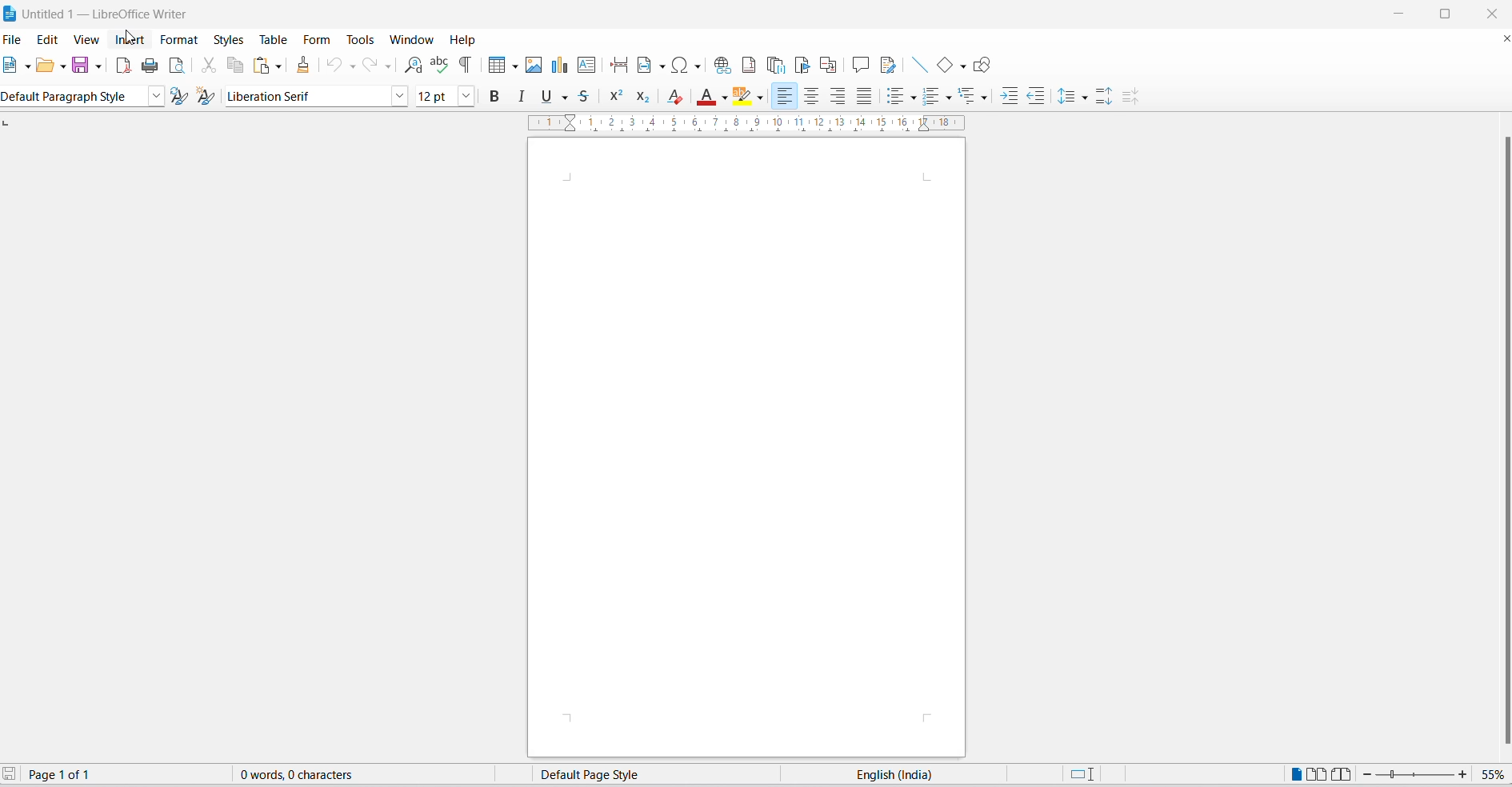 This screenshot has height=787, width=1512. I want to click on Untitled 1 - Libre Office Writer, so click(102, 13).